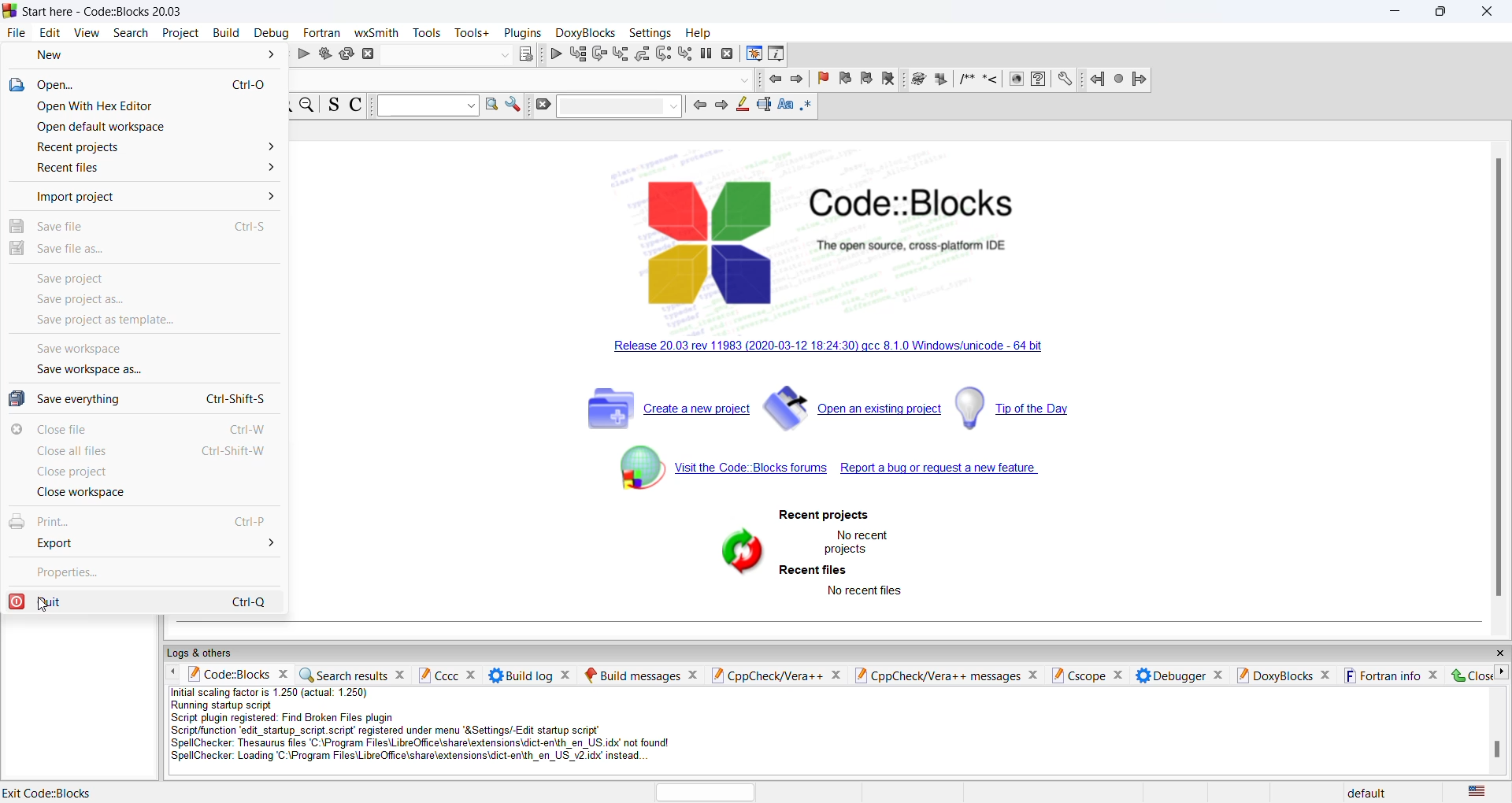 The width and height of the screenshot is (1512, 803). Describe the element at coordinates (862, 542) in the screenshot. I see `no recent projects ` at that location.